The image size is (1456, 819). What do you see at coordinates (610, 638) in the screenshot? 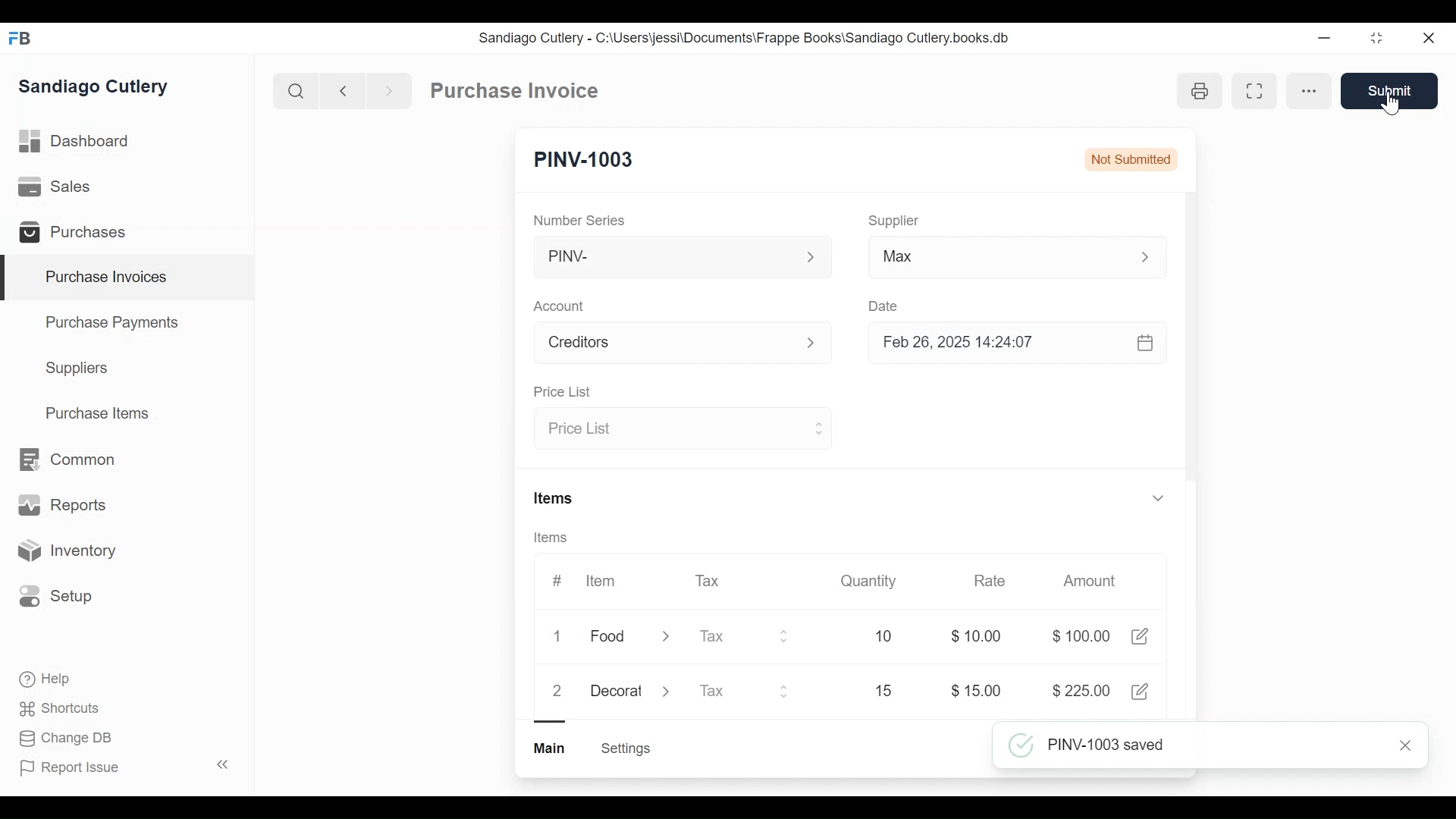
I see `Food` at bounding box center [610, 638].